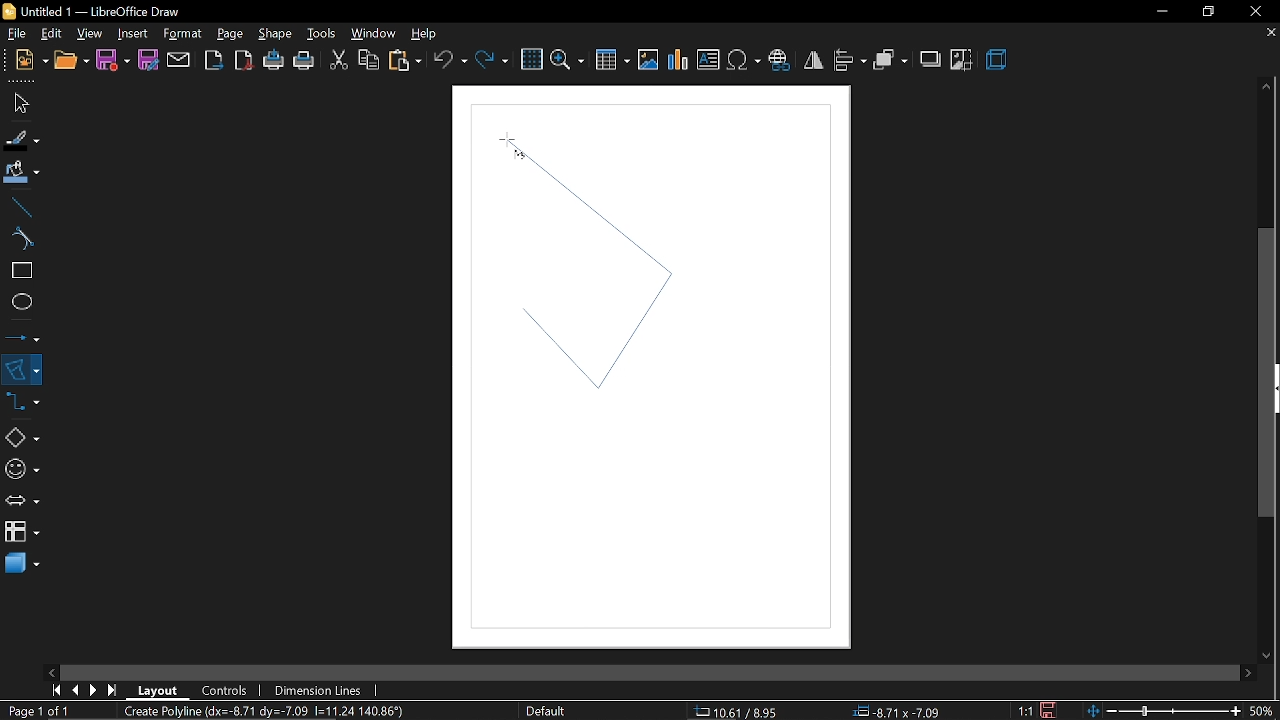 This screenshot has height=720, width=1280. I want to click on 3d shapes, so click(20, 564).